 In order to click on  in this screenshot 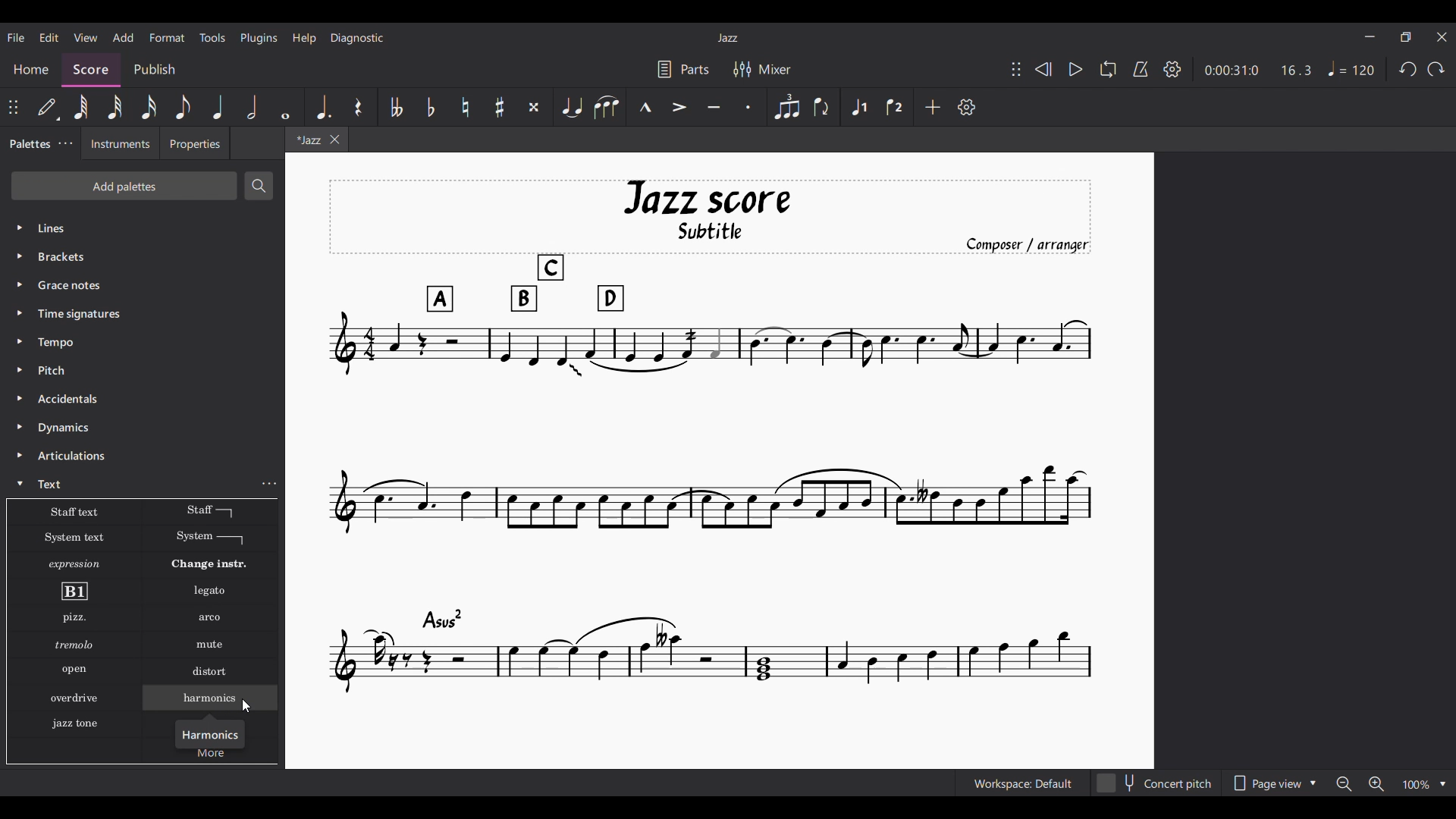, I will do `click(73, 645)`.